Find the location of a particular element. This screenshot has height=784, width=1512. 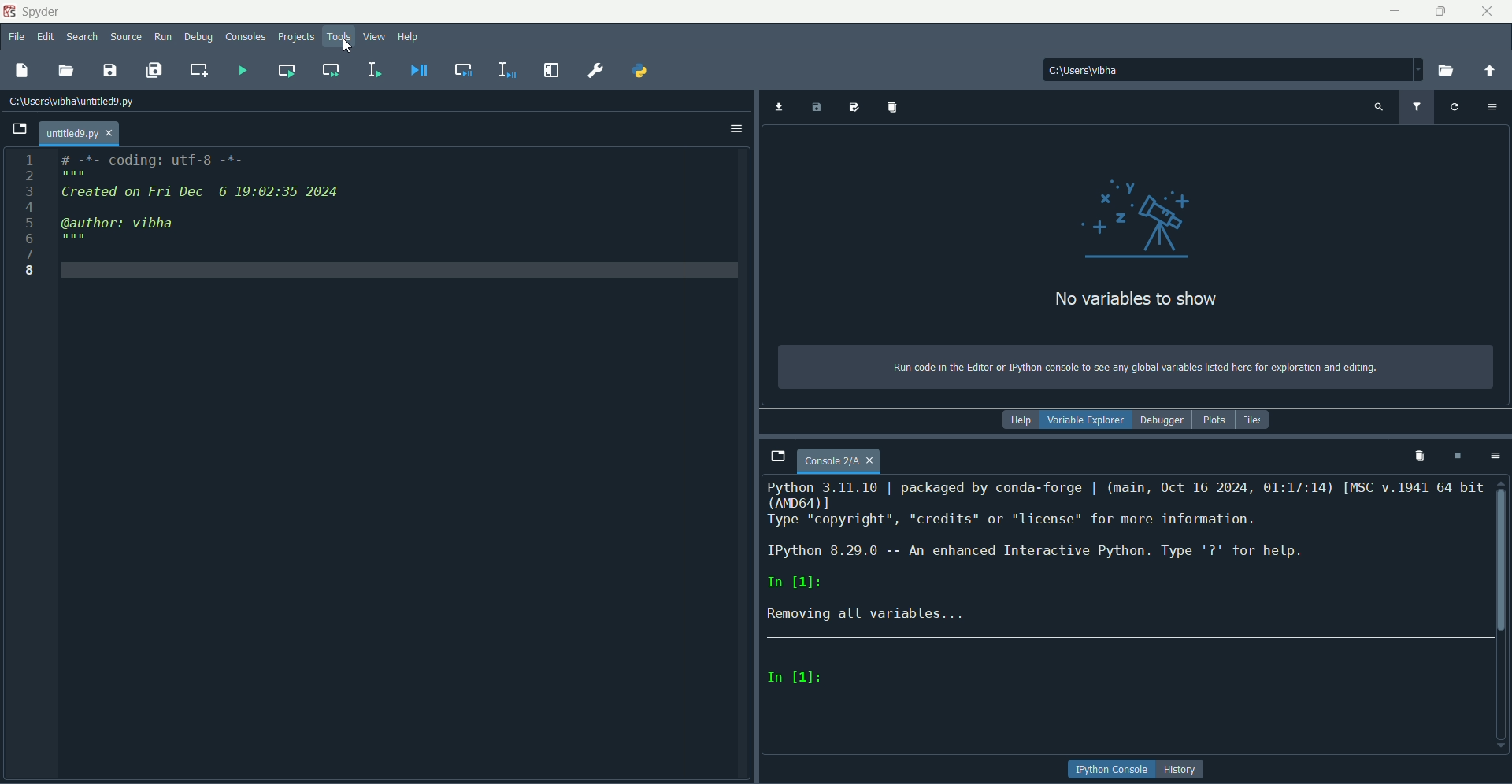

remove all is located at coordinates (1417, 455).